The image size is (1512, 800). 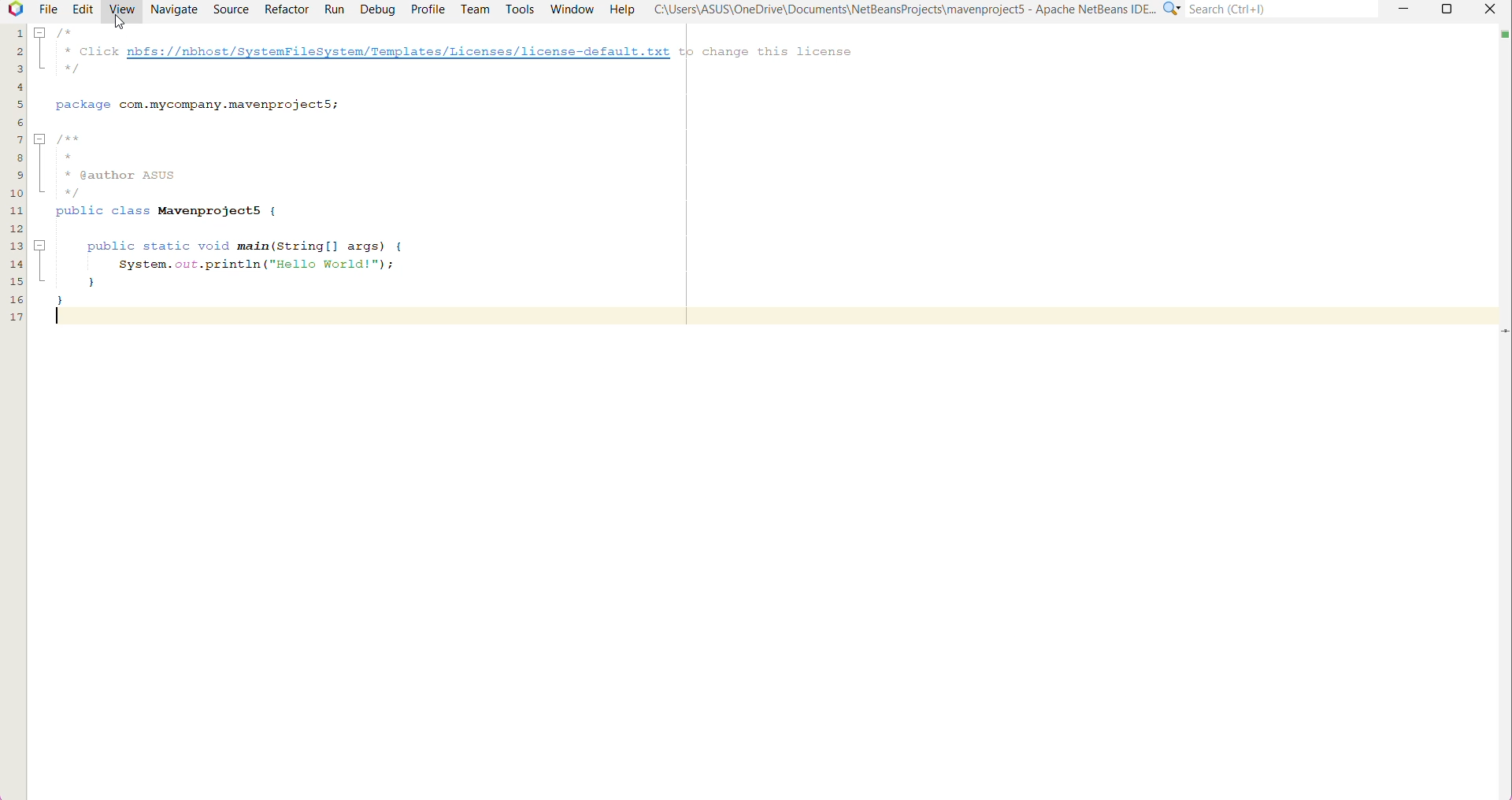 I want to click on Source, so click(x=232, y=10).